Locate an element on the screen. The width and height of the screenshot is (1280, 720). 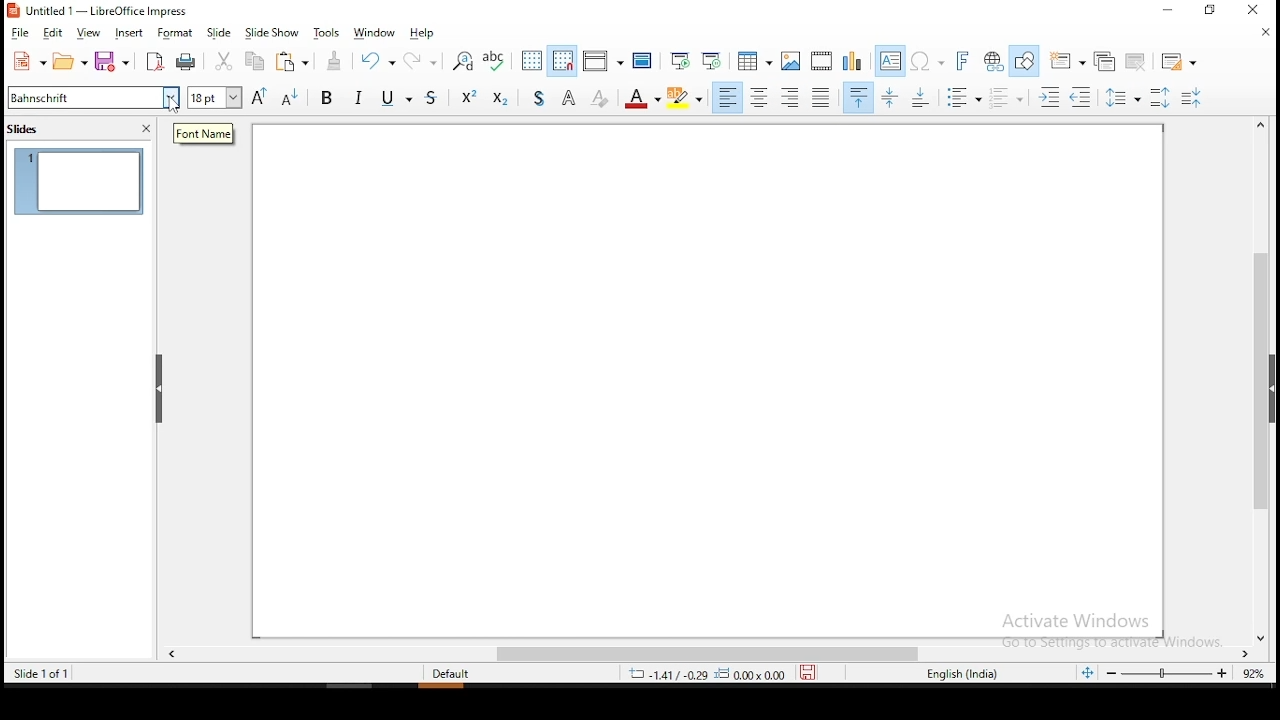
edit is located at coordinates (56, 33).